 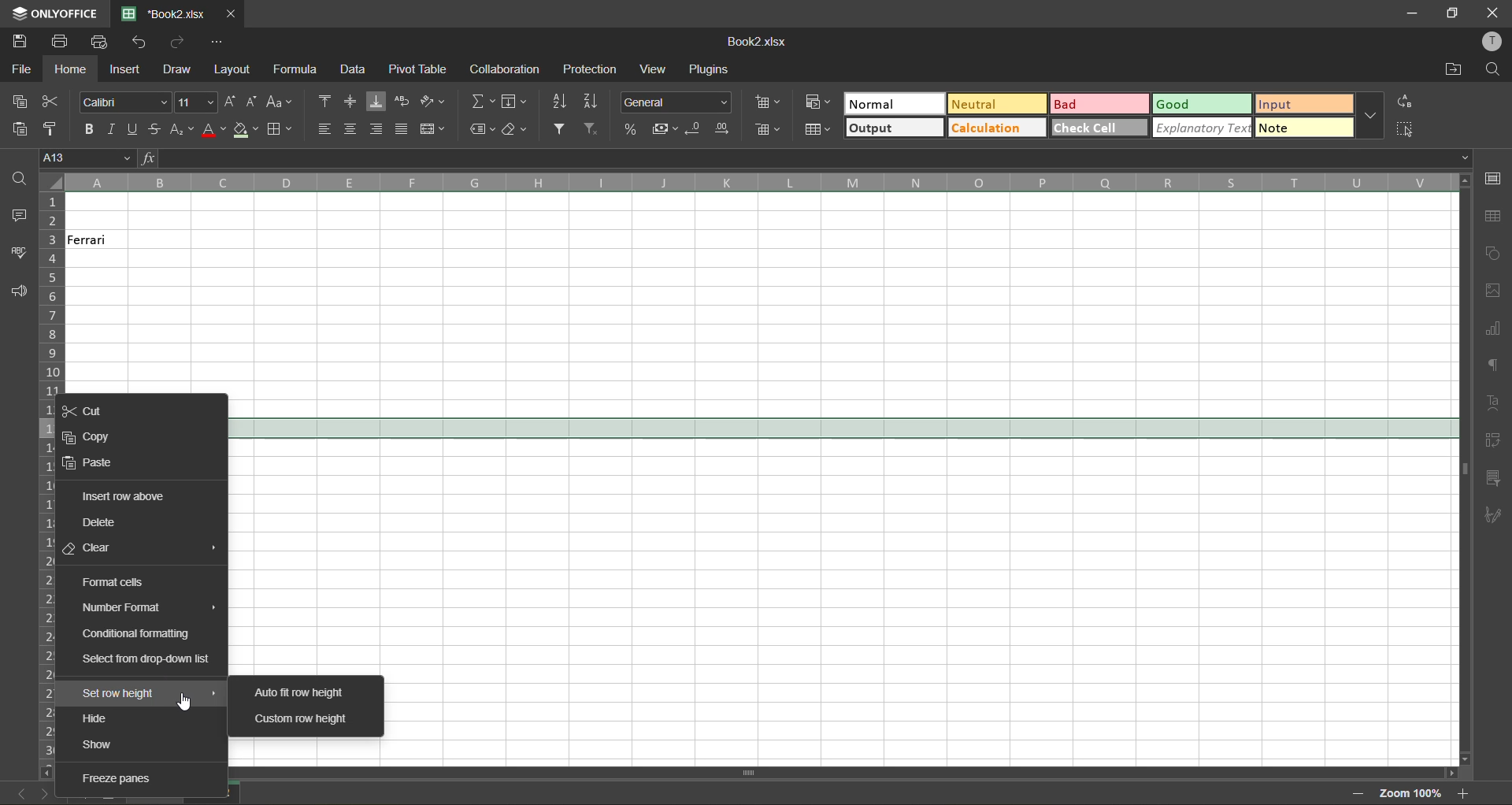 What do you see at coordinates (817, 102) in the screenshot?
I see `conditional formatting` at bounding box center [817, 102].